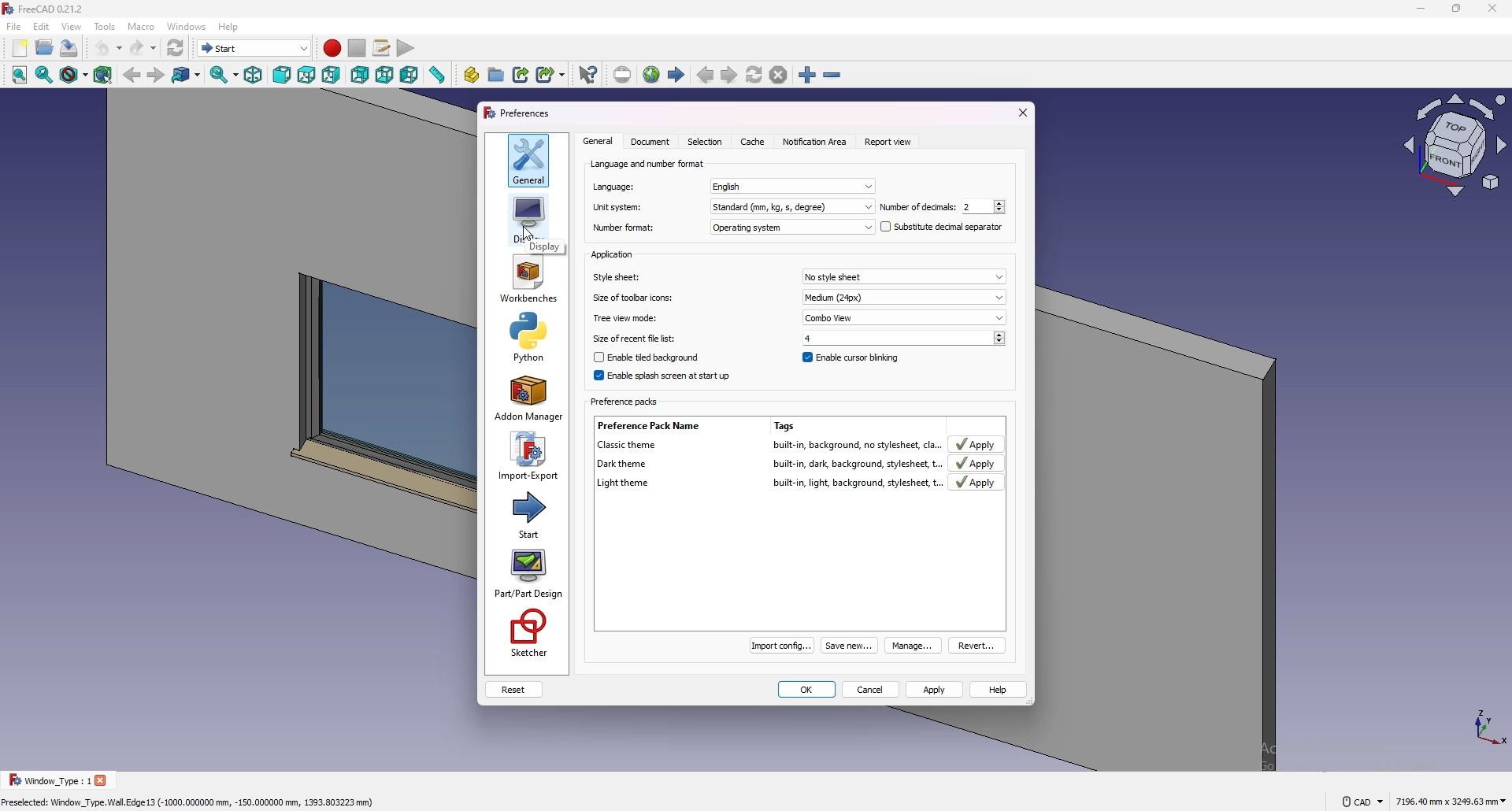 The height and width of the screenshot is (811, 1512). What do you see at coordinates (405, 50) in the screenshot?
I see `execute macro` at bounding box center [405, 50].